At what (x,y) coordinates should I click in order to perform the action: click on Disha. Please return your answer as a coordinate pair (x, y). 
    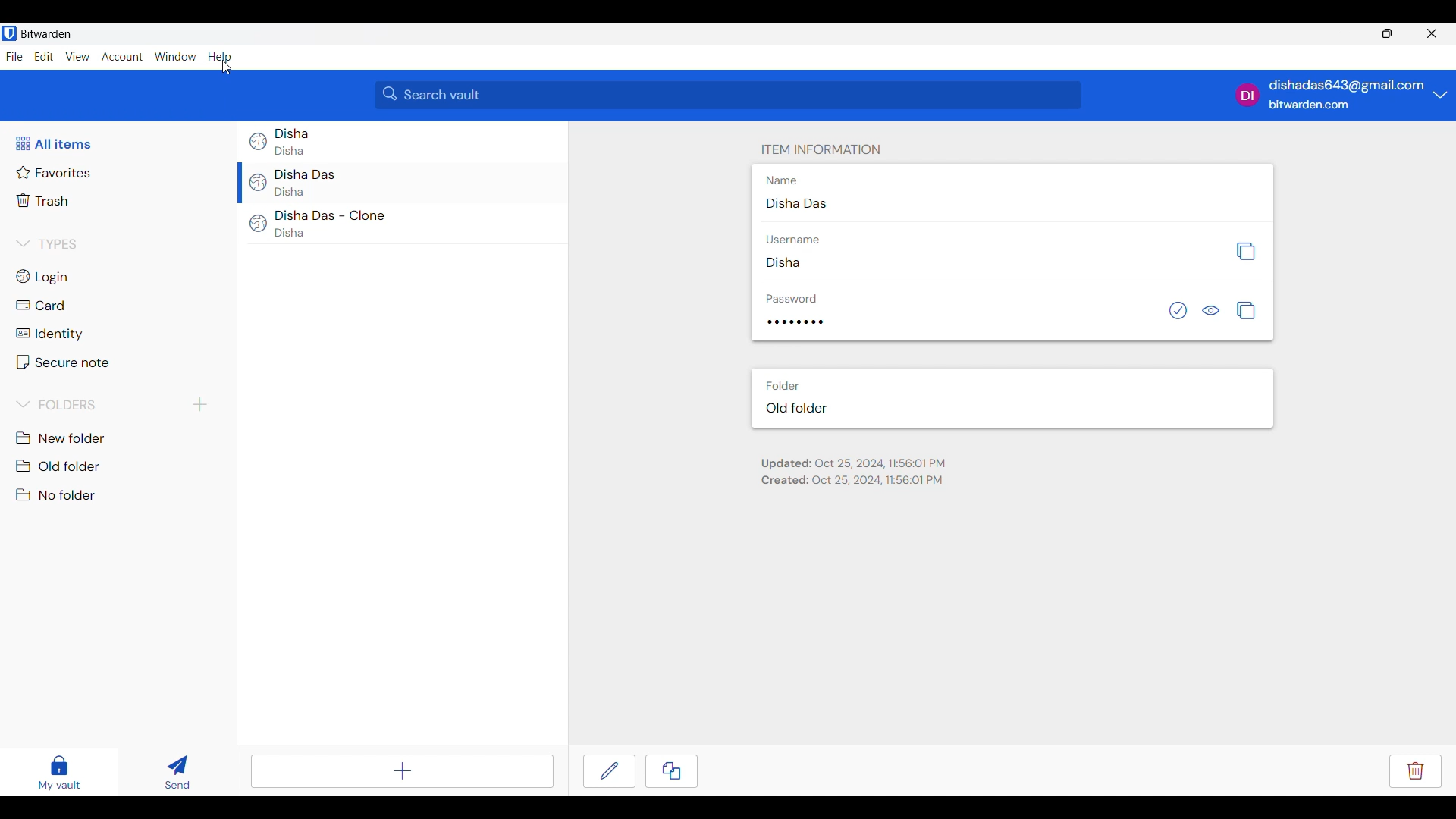
    Looking at the image, I should click on (290, 233).